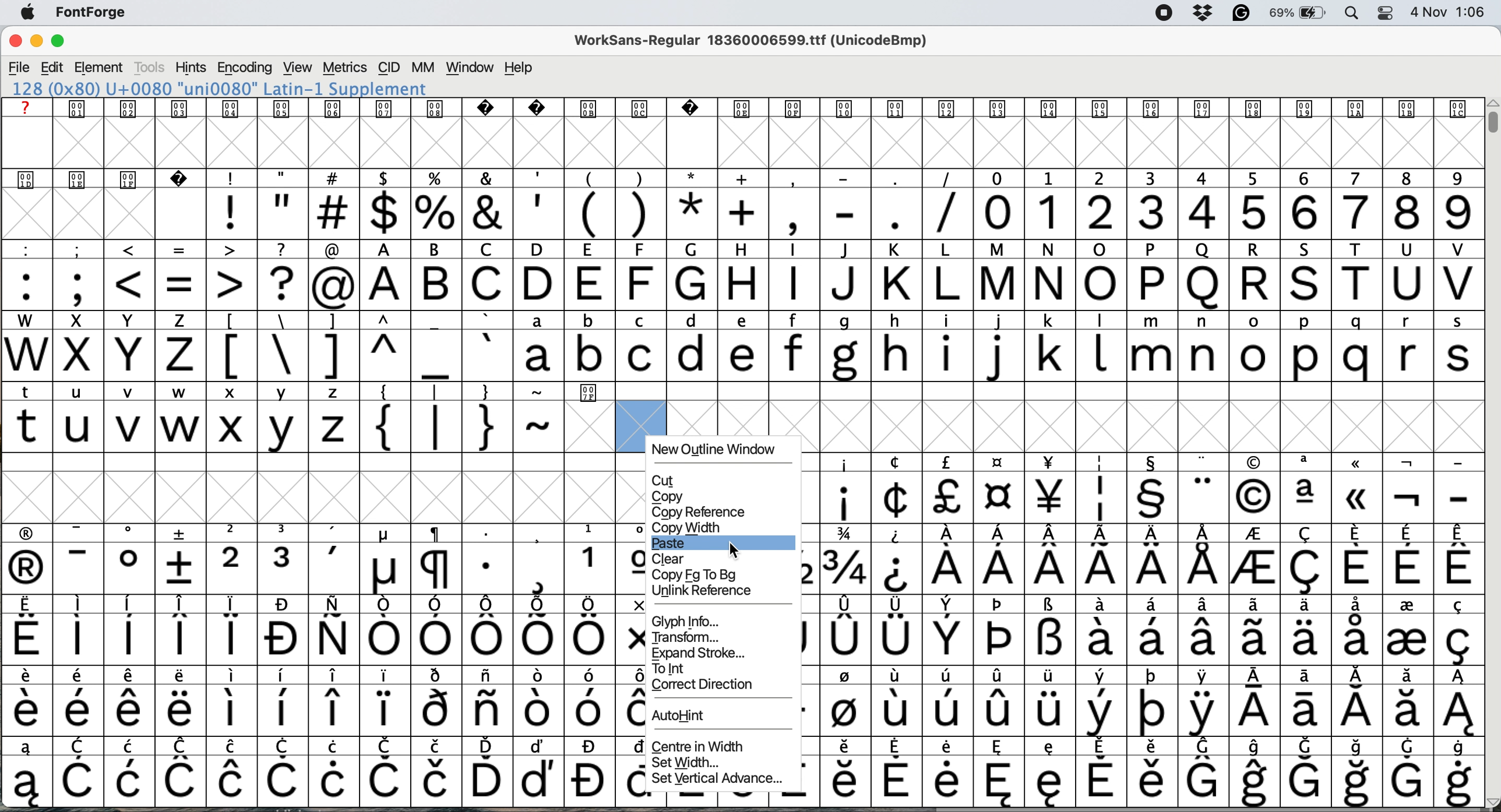  Describe the element at coordinates (686, 716) in the screenshot. I see `` at that location.